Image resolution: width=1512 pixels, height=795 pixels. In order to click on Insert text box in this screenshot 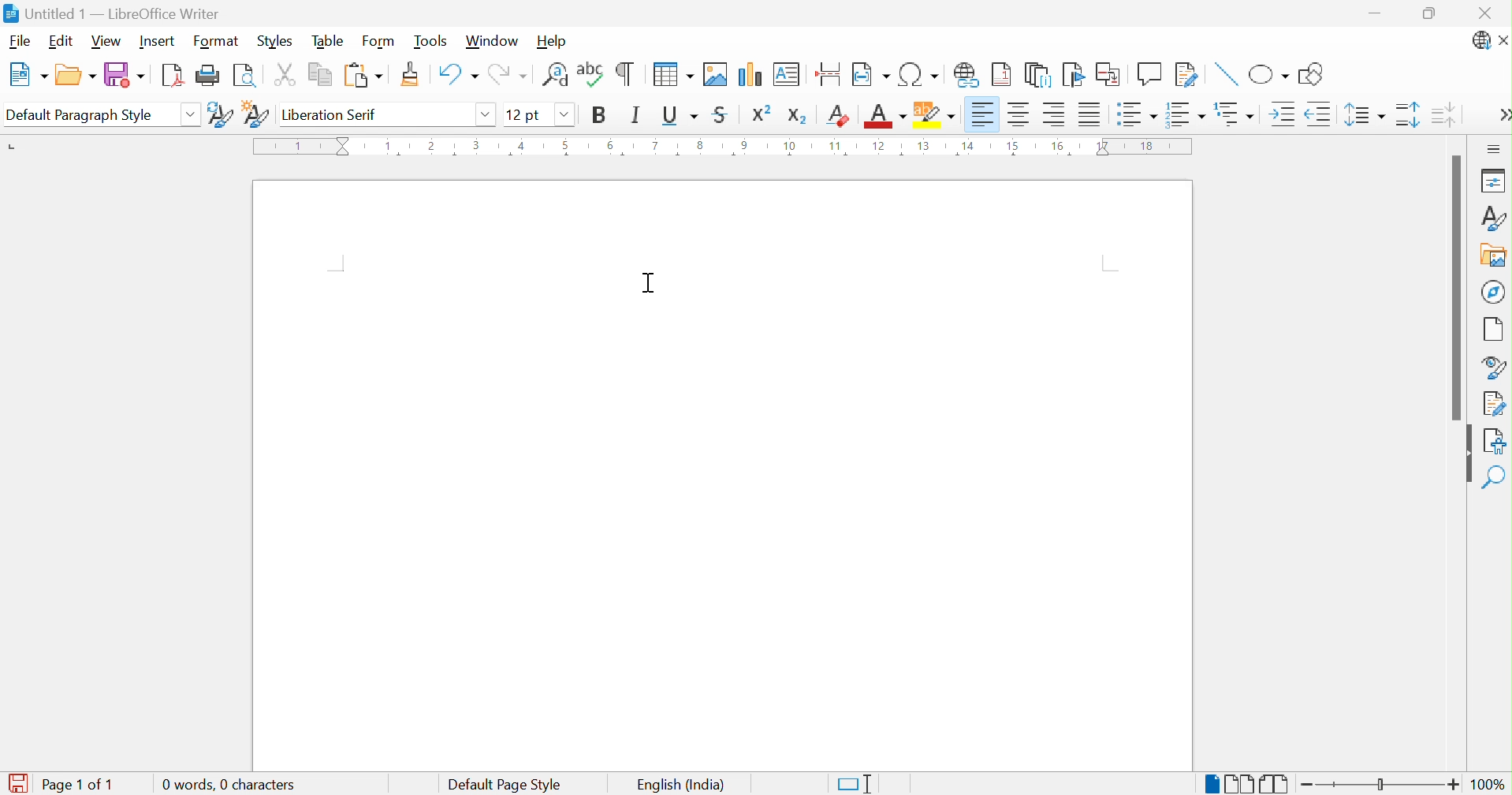, I will do `click(788, 74)`.